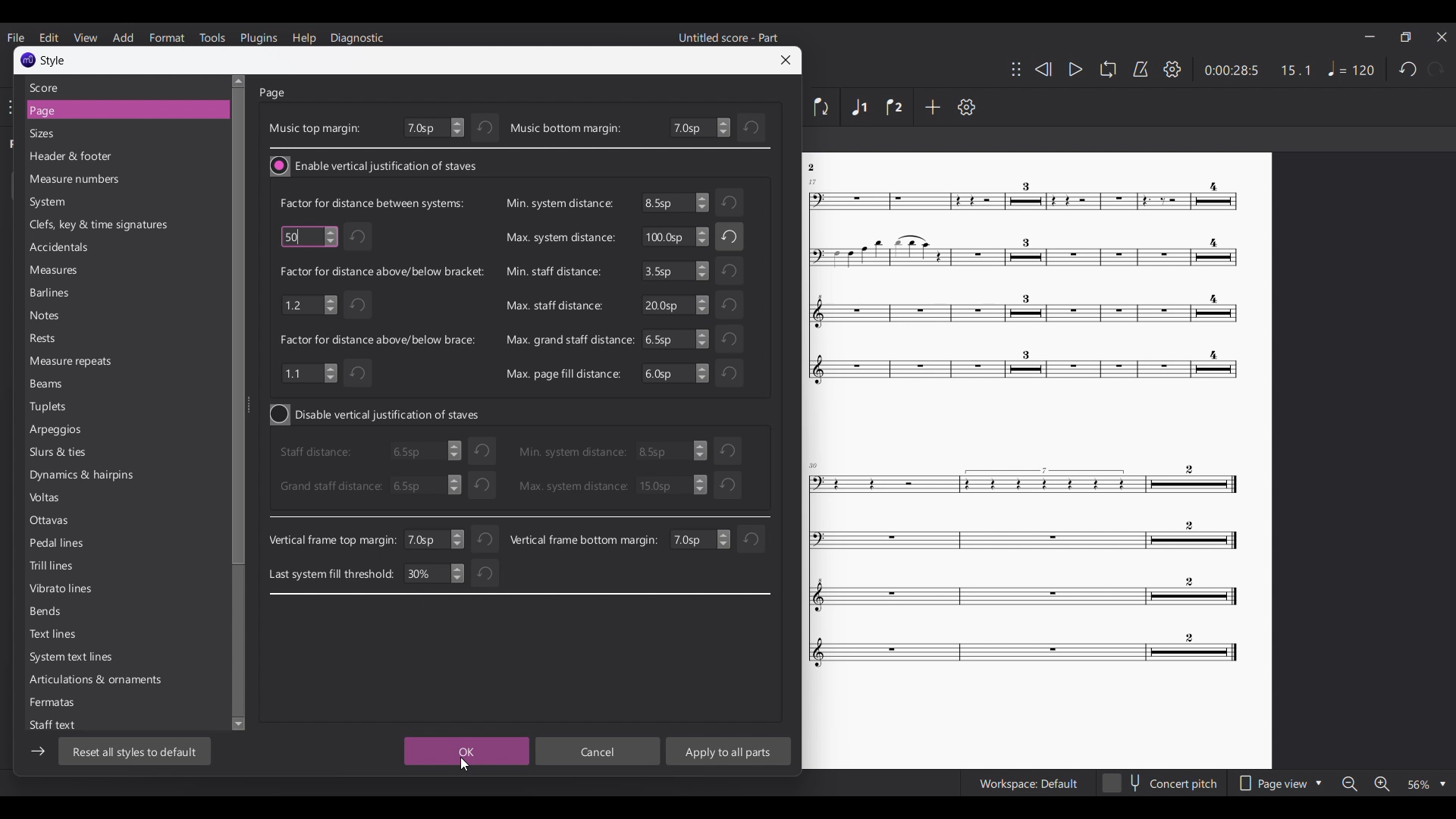 The width and height of the screenshot is (1456, 819). Describe the element at coordinates (421, 453) in the screenshot. I see `6.5sp` at that location.